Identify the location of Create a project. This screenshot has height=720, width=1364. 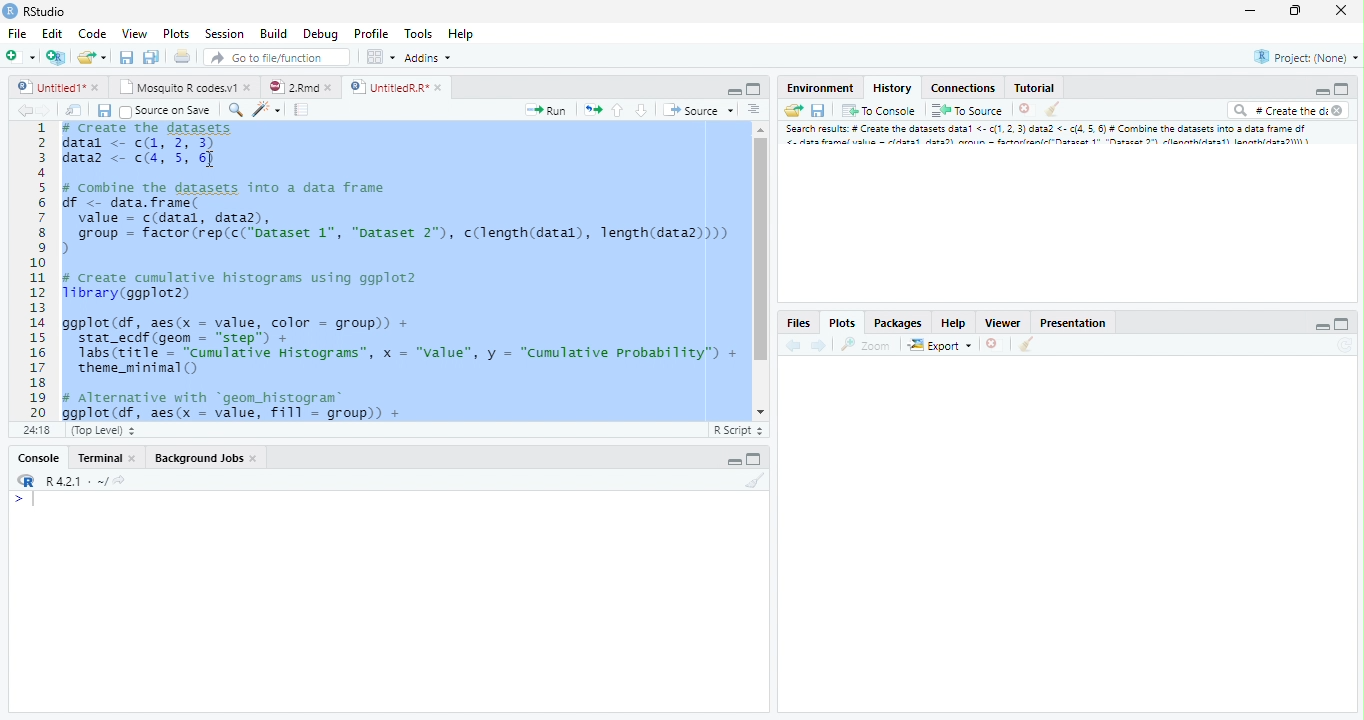
(56, 55).